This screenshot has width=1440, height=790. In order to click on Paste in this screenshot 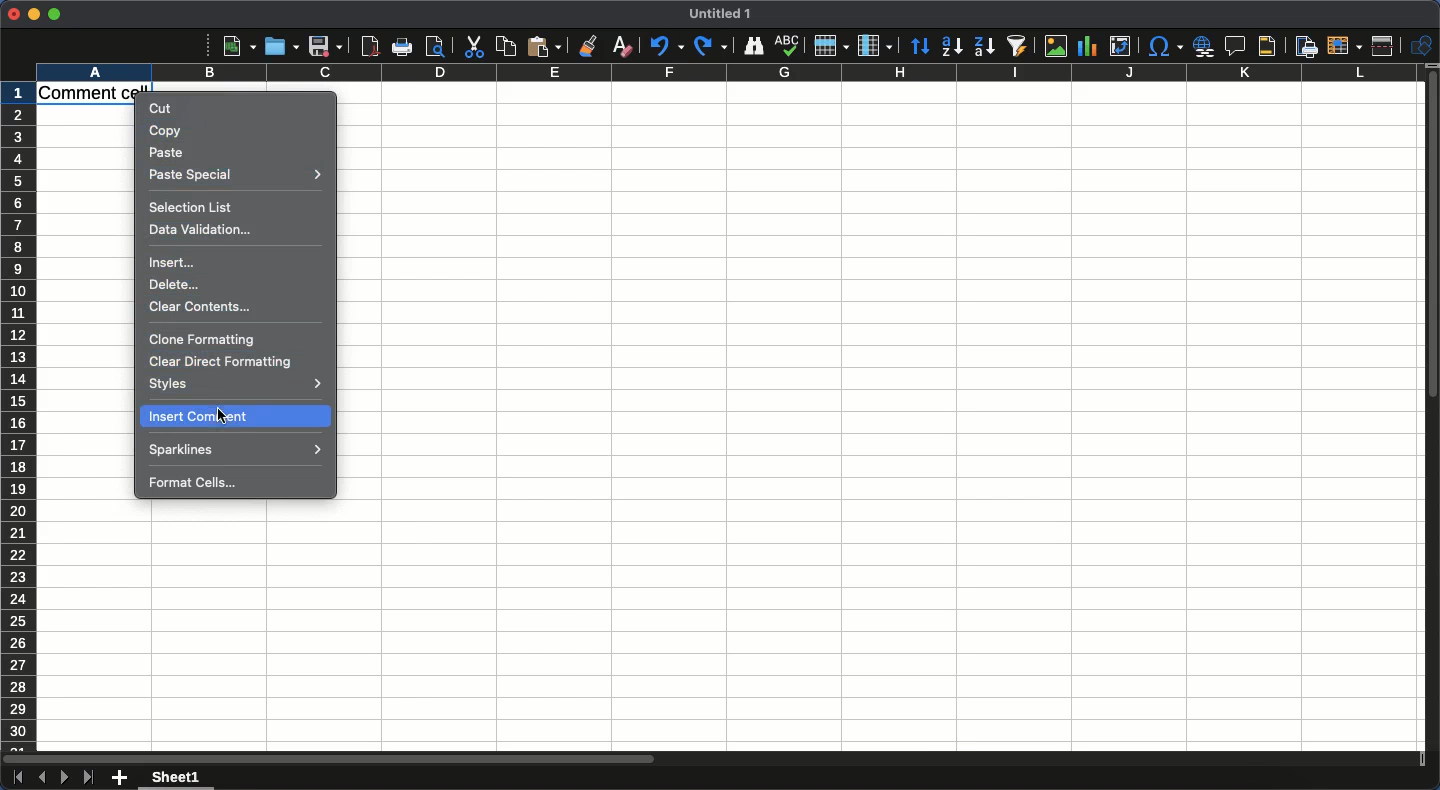, I will do `click(171, 152)`.